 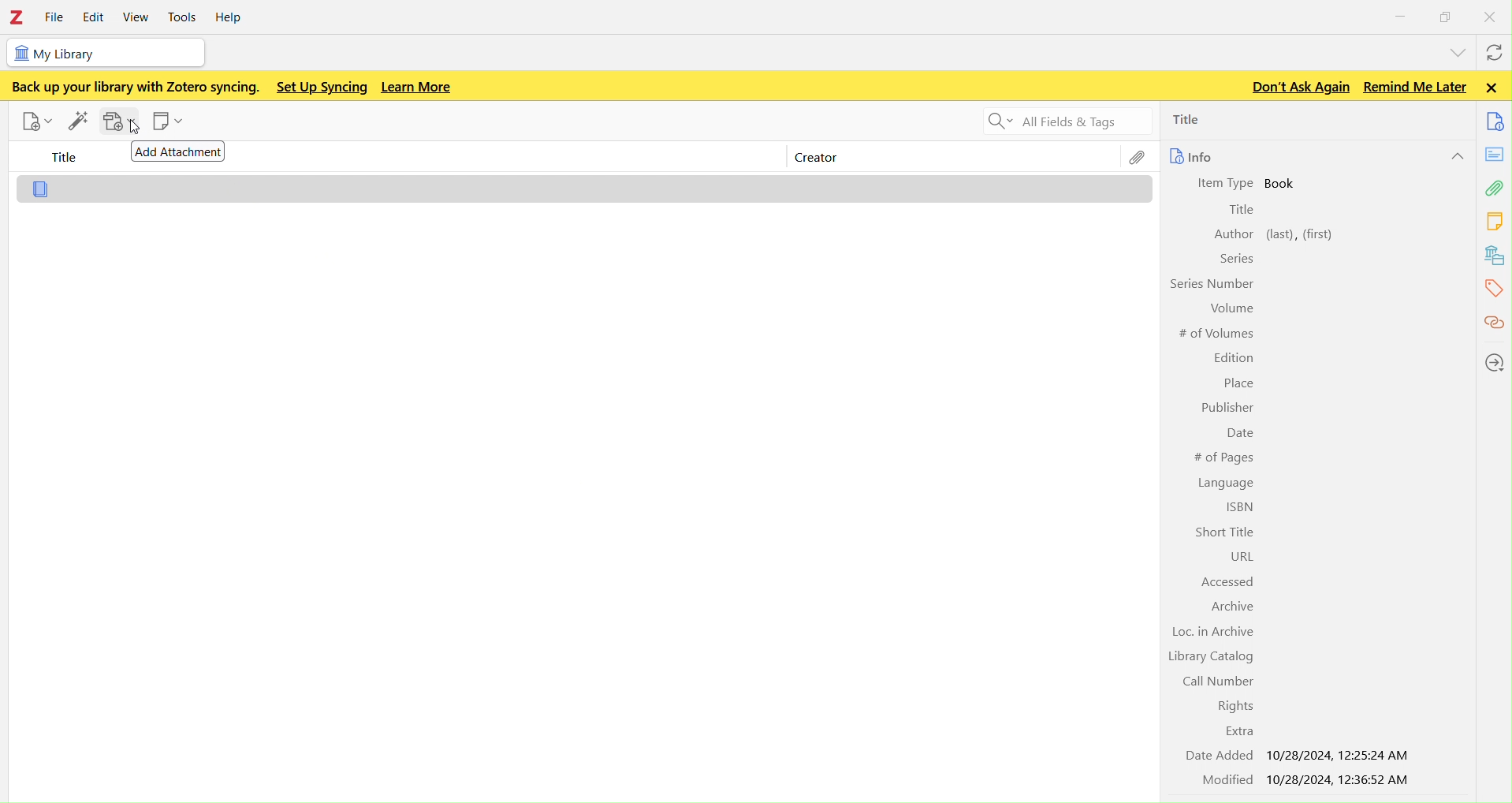 I want to click on help, so click(x=236, y=16).